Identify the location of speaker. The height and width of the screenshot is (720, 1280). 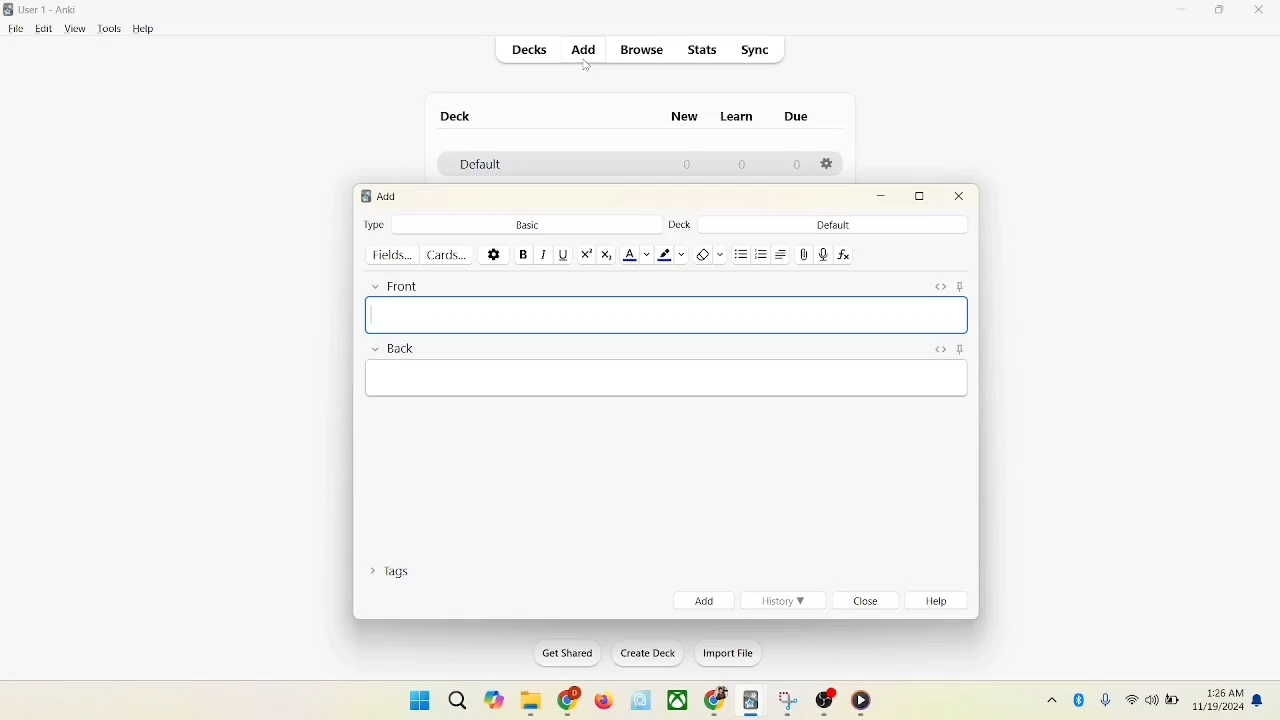
(1151, 699).